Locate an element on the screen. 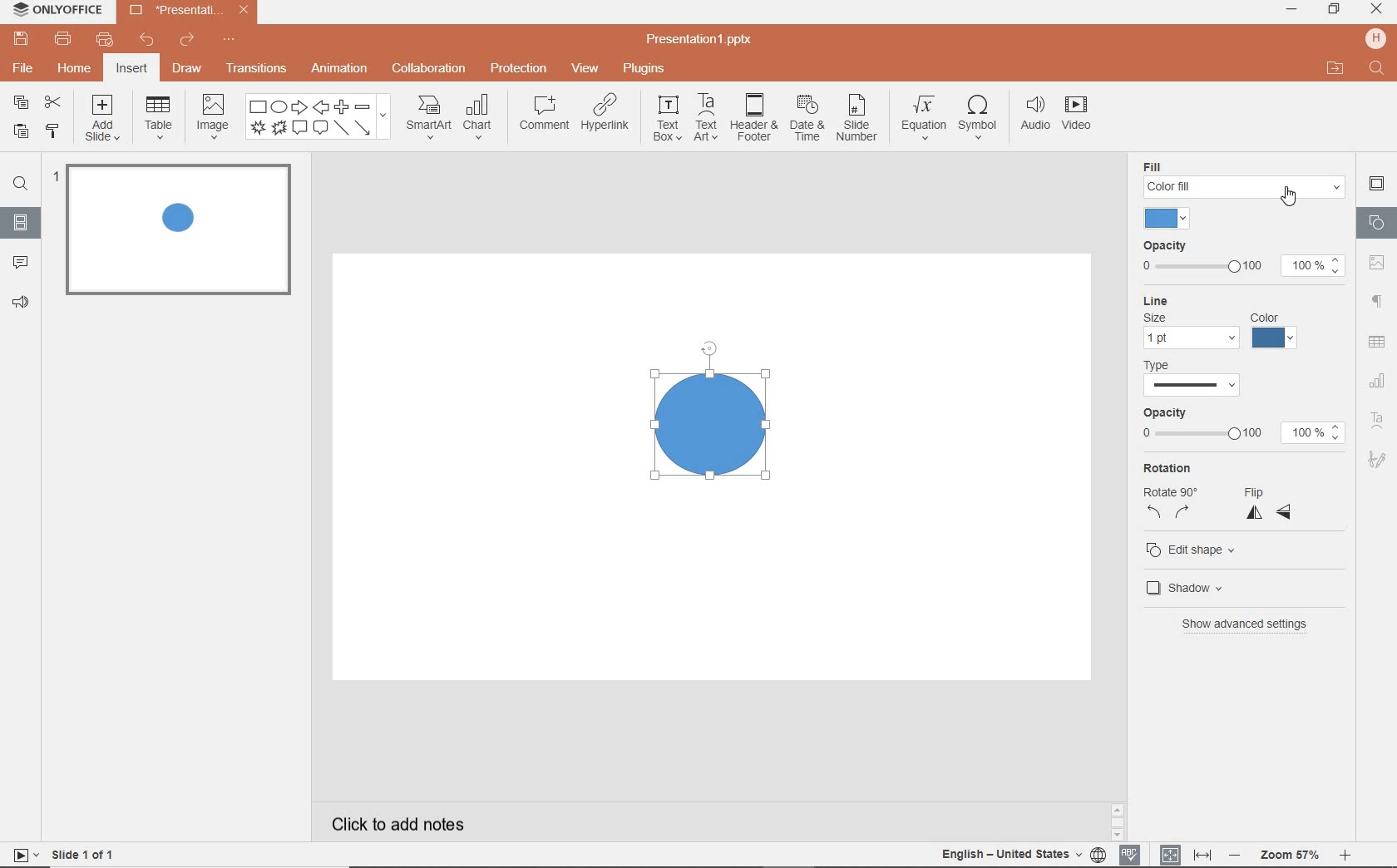 The height and width of the screenshot is (868, 1397). animation is located at coordinates (339, 70).